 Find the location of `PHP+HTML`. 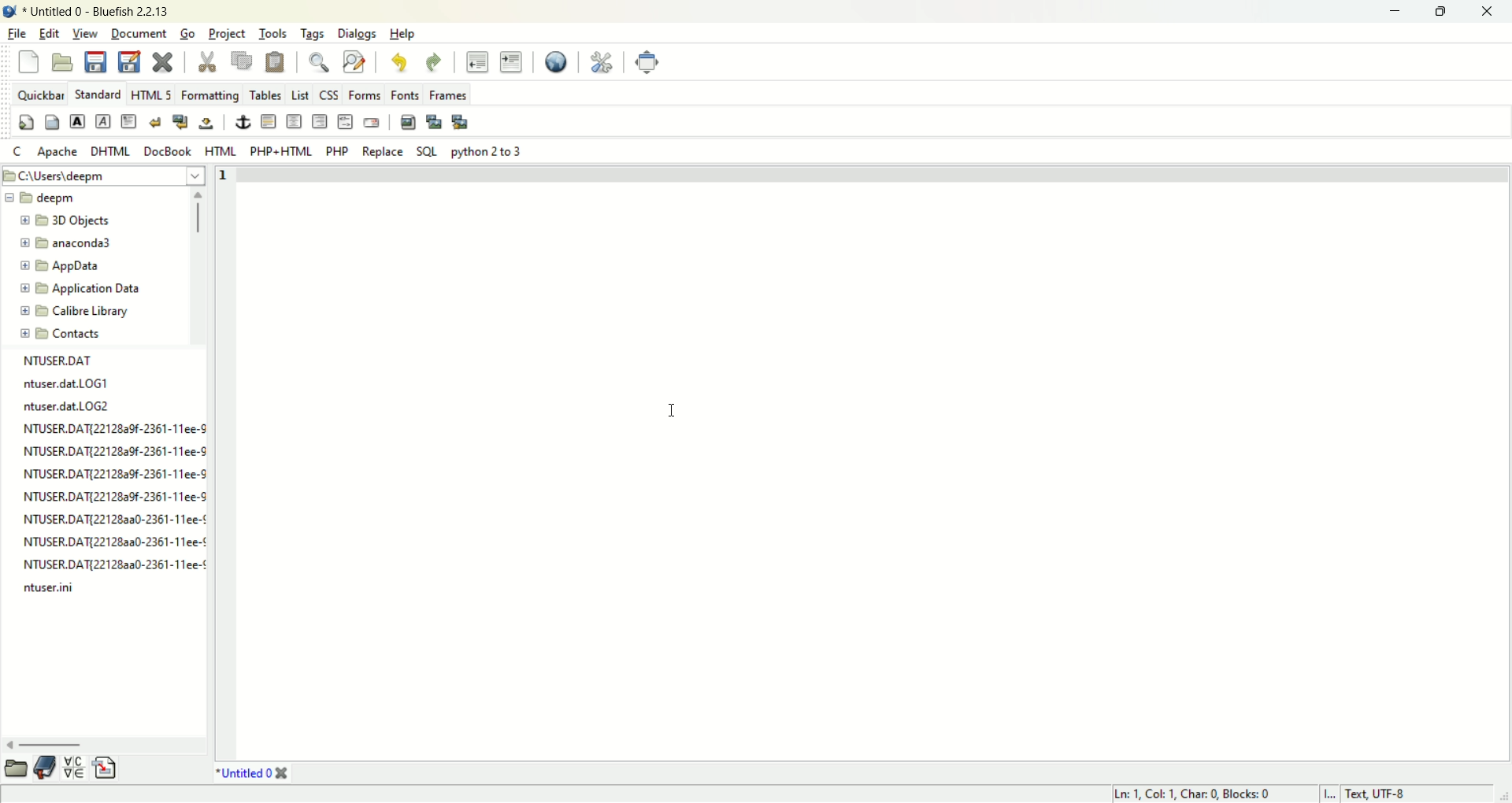

PHP+HTML is located at coordinates (281, 152).